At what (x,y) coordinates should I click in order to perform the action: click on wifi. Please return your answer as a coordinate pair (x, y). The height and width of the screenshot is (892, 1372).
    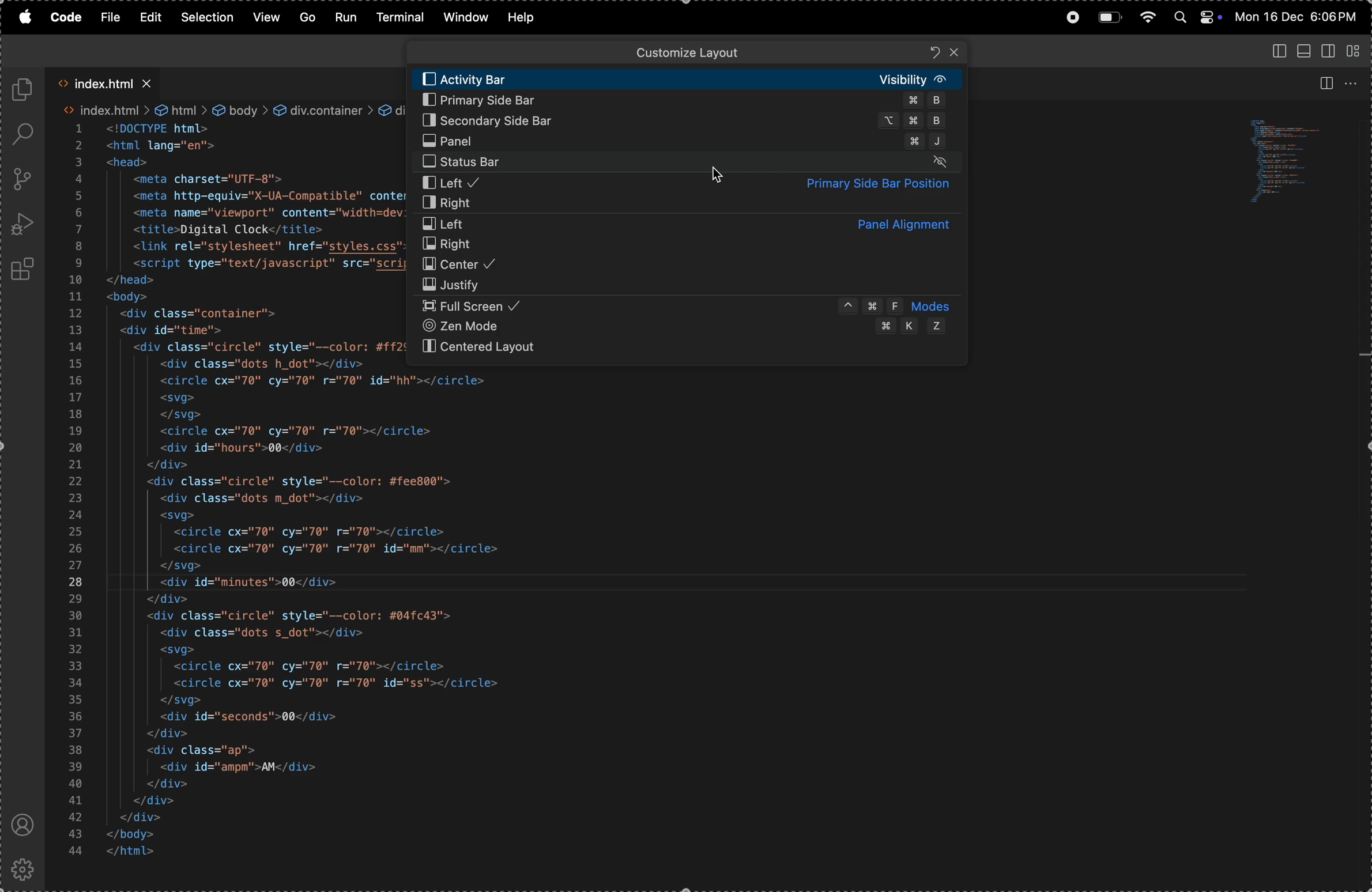
    Looking at the image, I should click on (1146, 16).